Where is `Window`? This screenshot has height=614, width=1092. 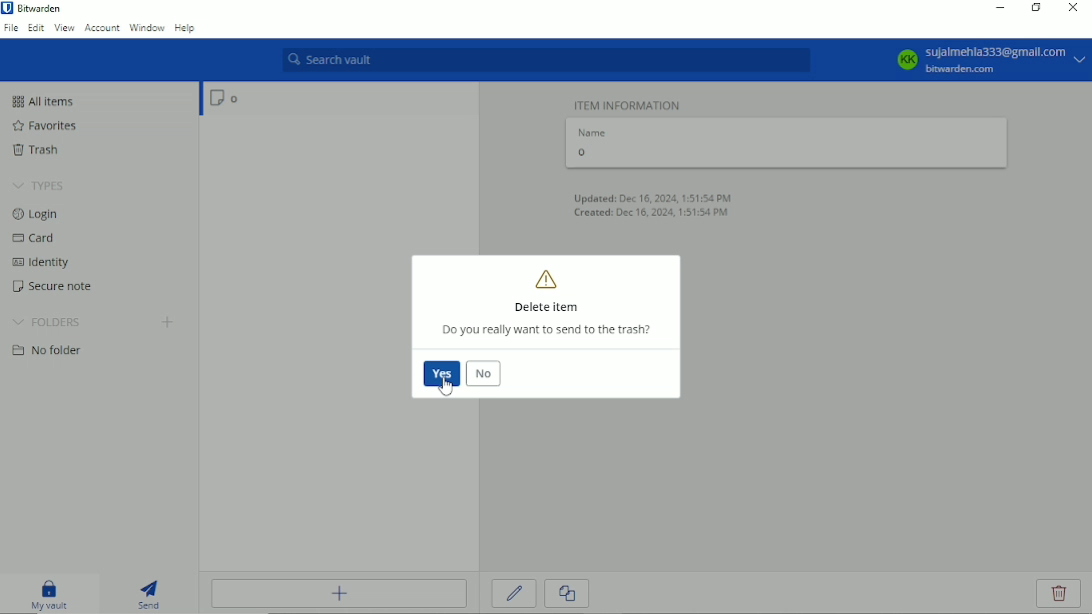
Window is located at coordinates (147, 28).